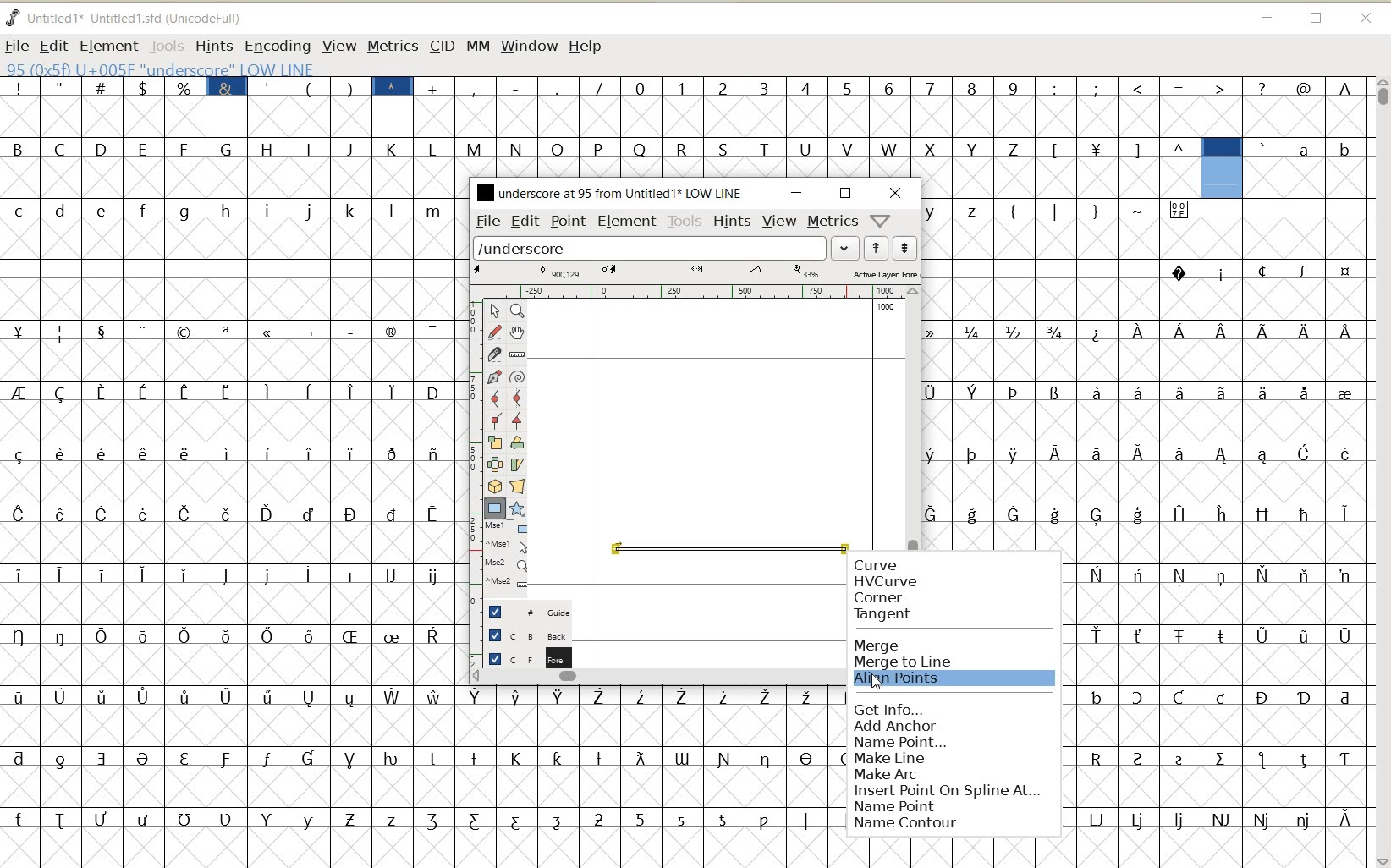 This screenshot has height=868, width=1391. What do you see at coordinates (690, 292) in the screenshot?
I see `RULER` at bounding box center [690, 292].